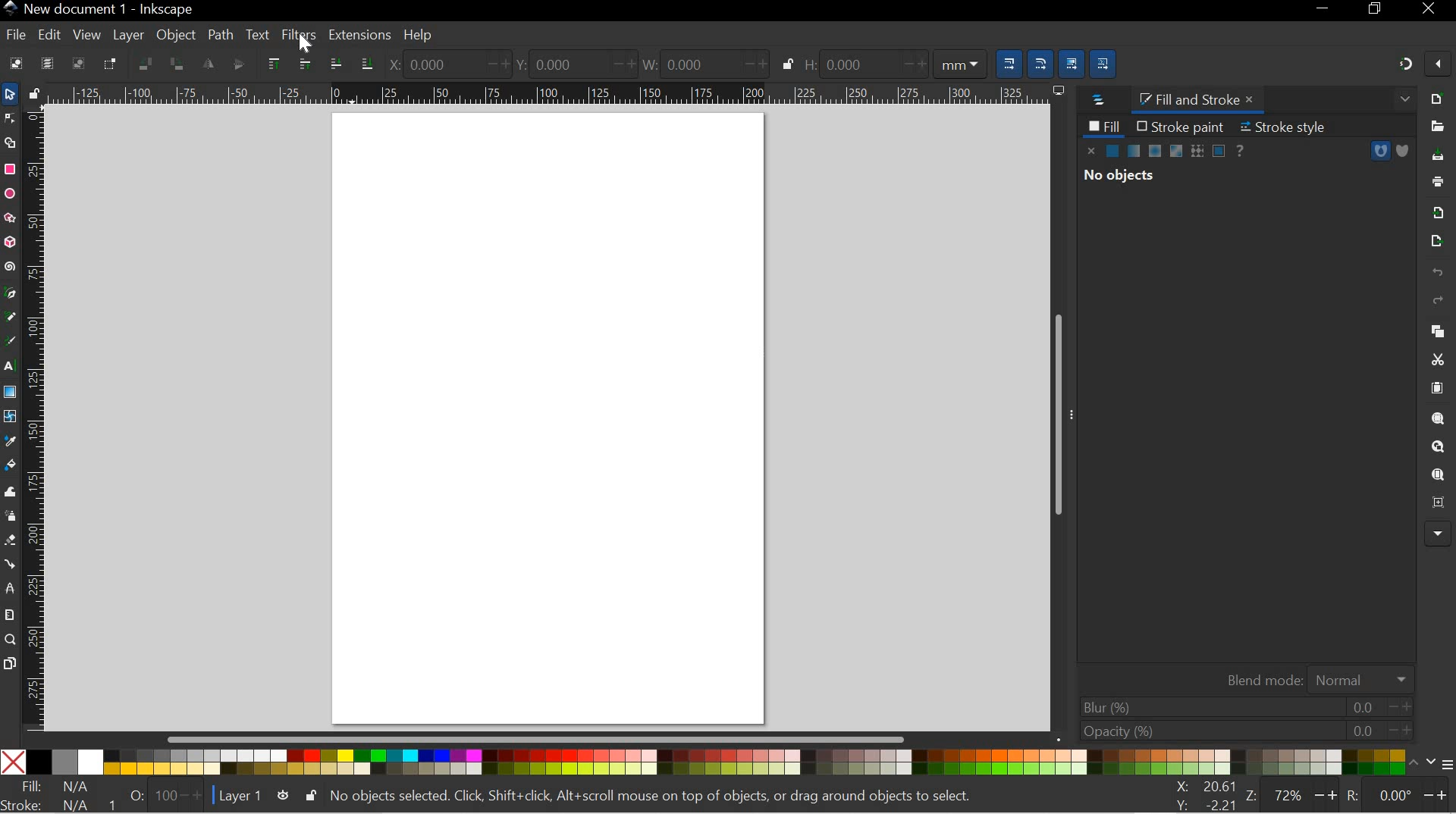 The image size is (1456, 814). What do you see at coordinates (219, 33) in the screenshot?
I see `PATH` at bounding box center [219, 33].